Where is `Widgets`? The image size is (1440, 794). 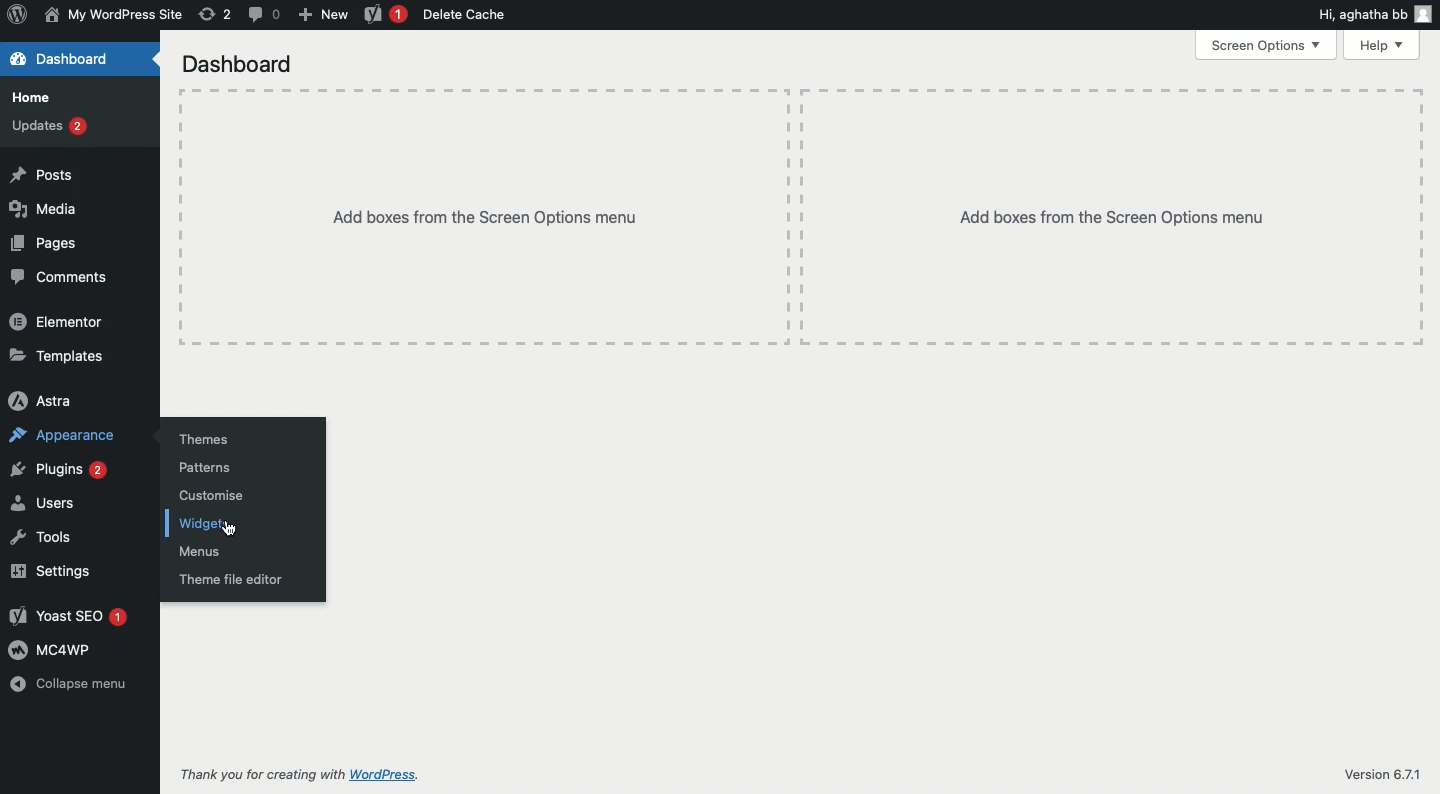
Widgets is located at coordinates (203, 524).